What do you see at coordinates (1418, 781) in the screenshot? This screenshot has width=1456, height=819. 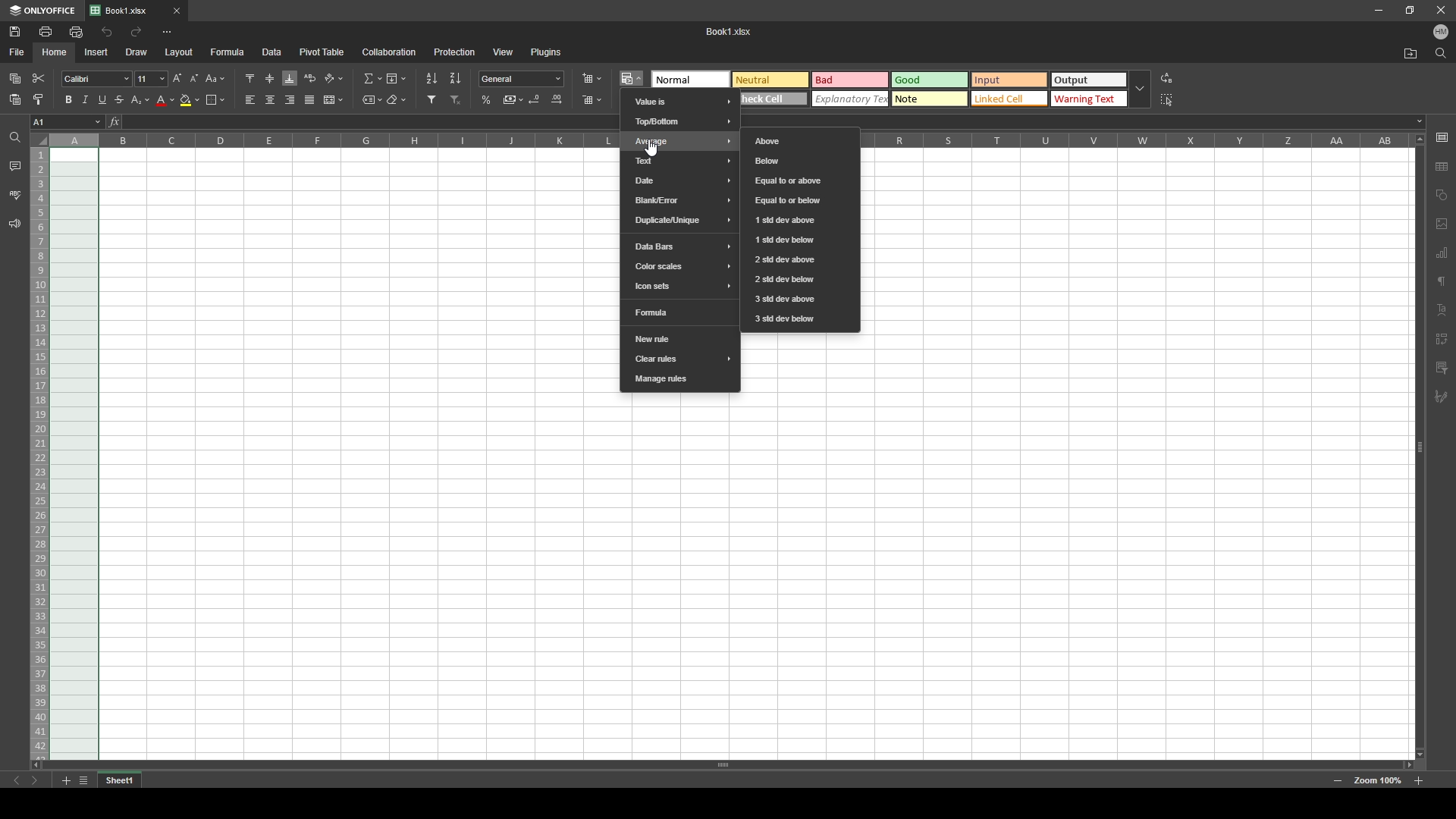 I see `zoom in` at bounding box center [1418, 781].